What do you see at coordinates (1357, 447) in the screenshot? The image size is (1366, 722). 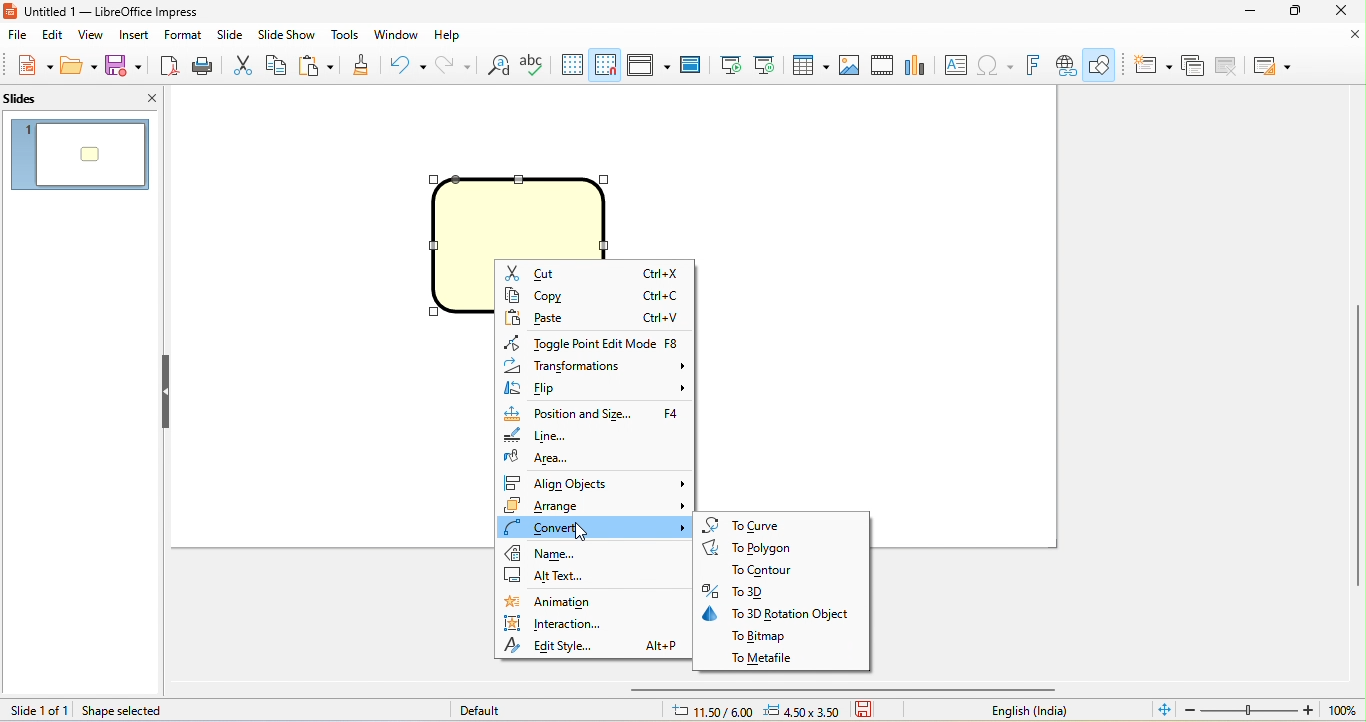 I see `vertical scroll bar` at bounding box center [1357, 447].